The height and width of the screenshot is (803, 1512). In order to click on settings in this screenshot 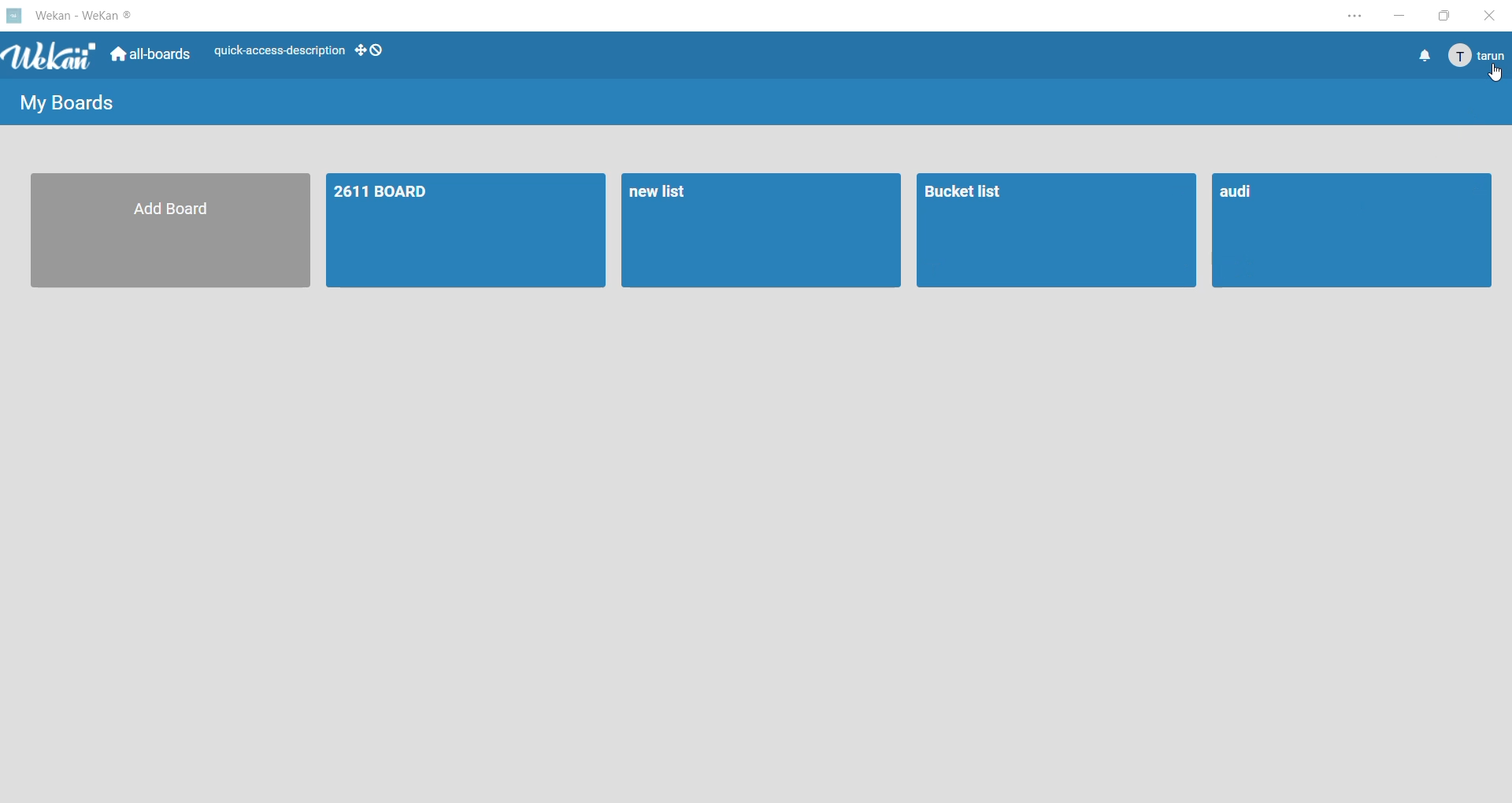, I will do `click(1350, 17)`.